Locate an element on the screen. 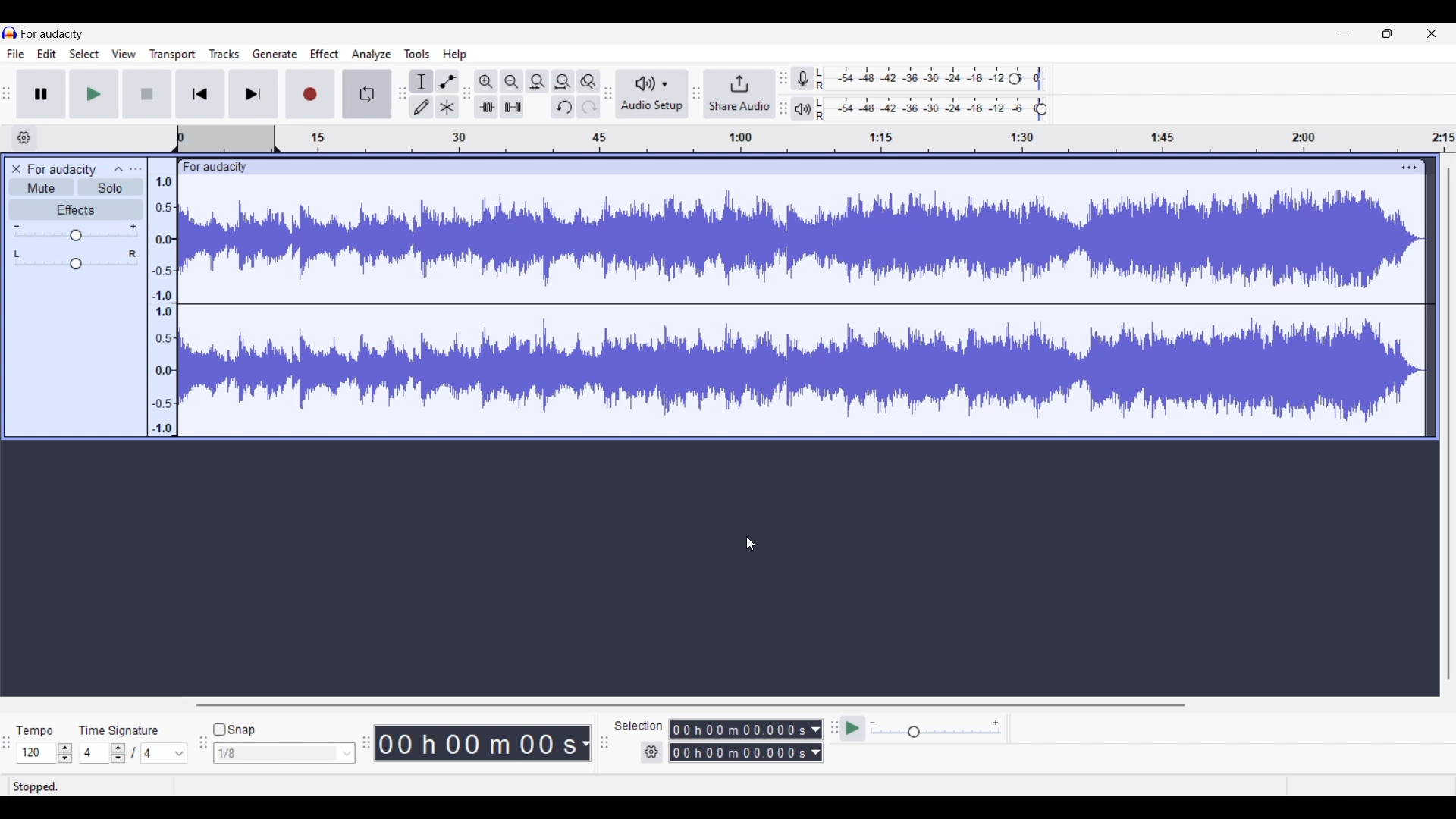 This screenshot has height=819, width=1456. Help menu is located at coordinates (455, 55).